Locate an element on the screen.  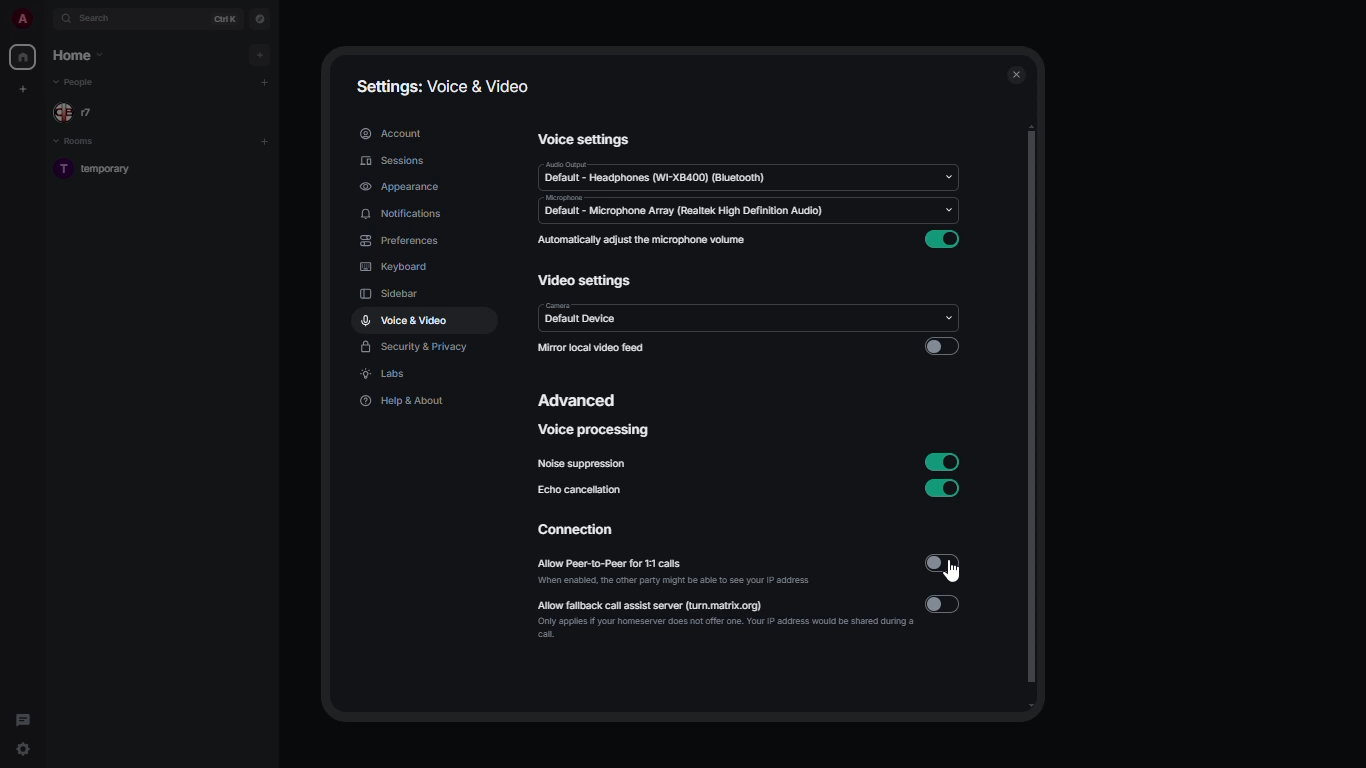
cursor is located at coordinates (953, 573).